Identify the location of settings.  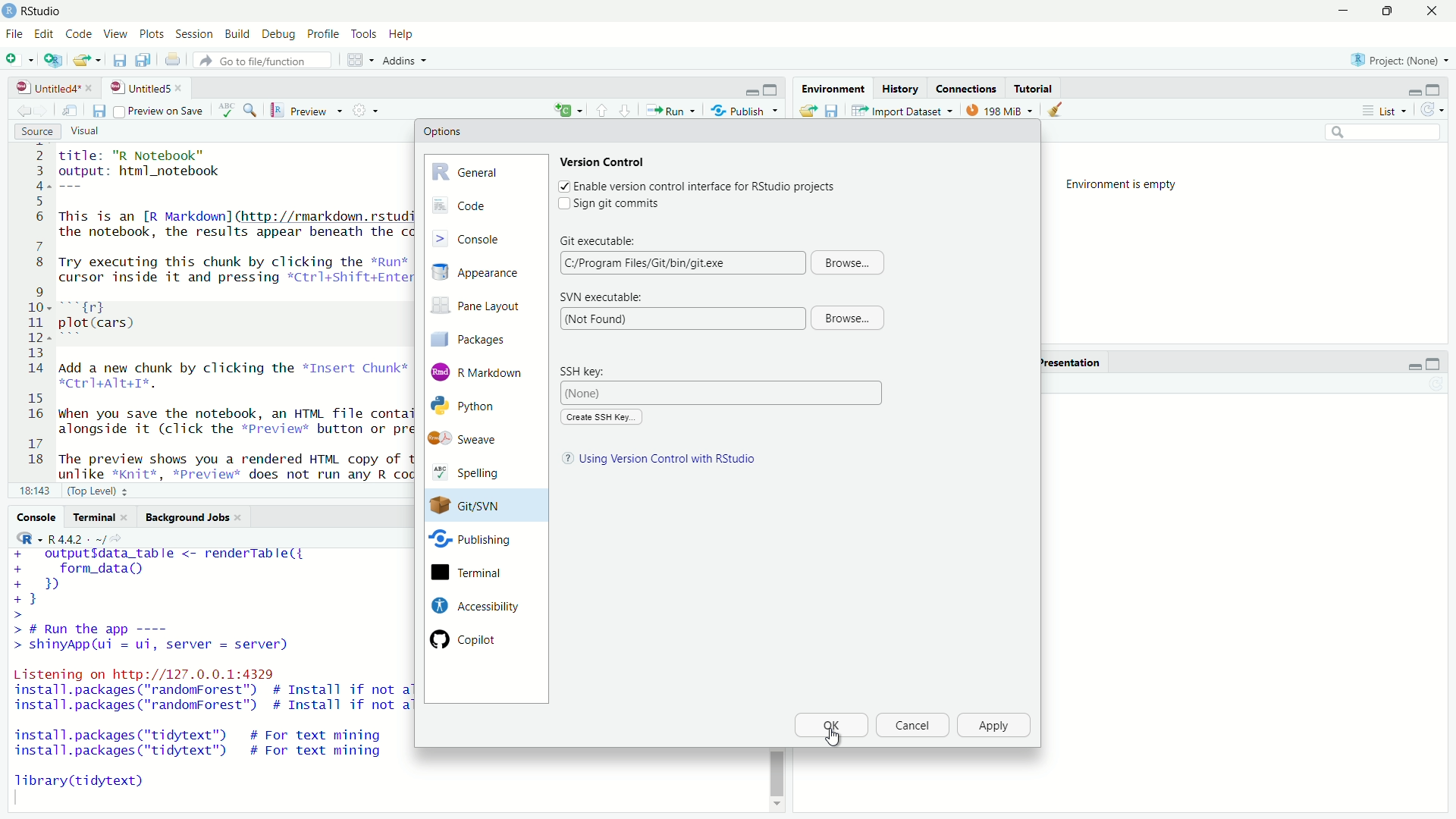
(369, 110).